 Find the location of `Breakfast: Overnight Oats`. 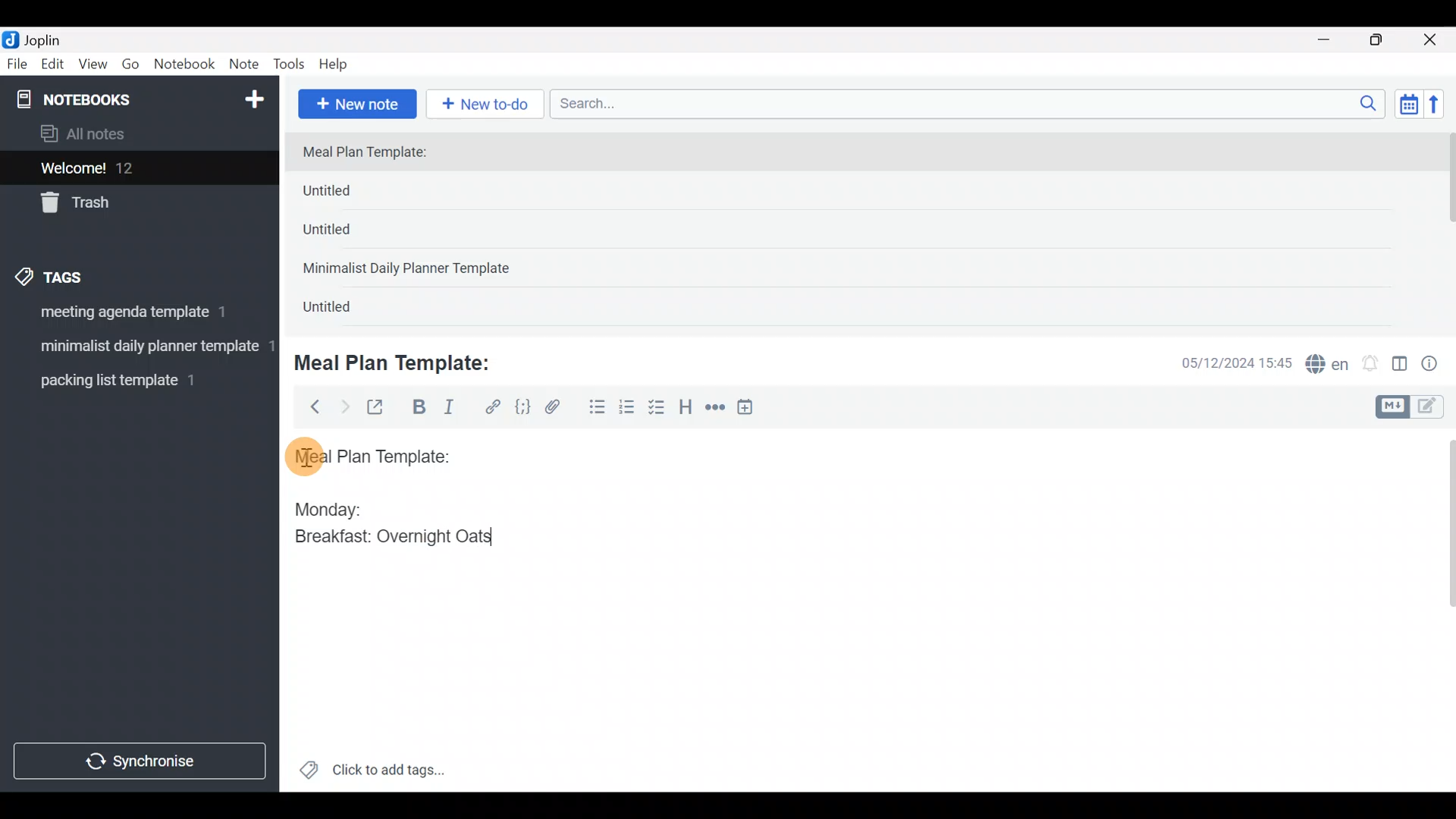

Breakfast: Overnight Oats is located at coordinates (391, 538).